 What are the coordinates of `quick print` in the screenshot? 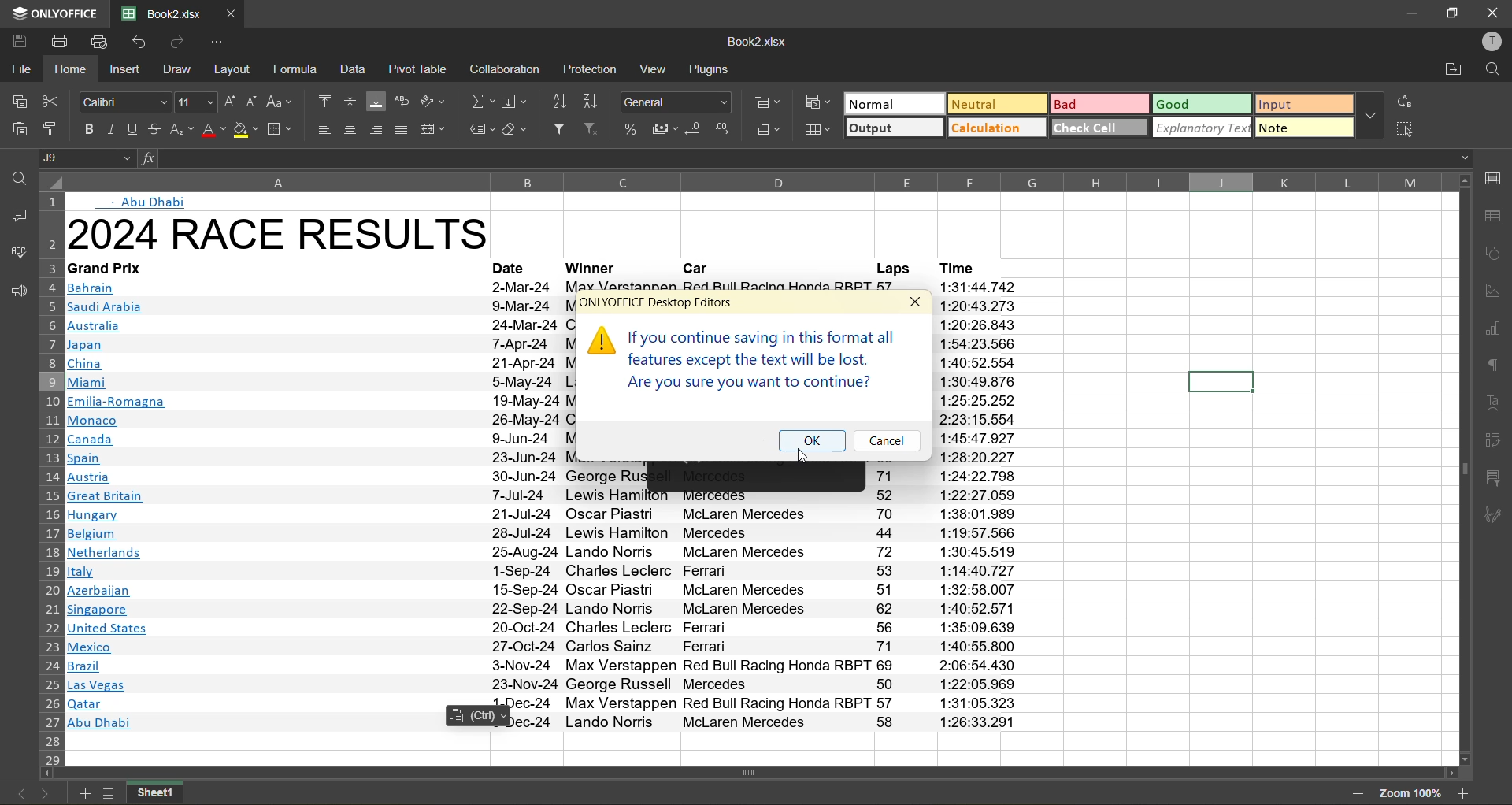 It's located at (101, 42).